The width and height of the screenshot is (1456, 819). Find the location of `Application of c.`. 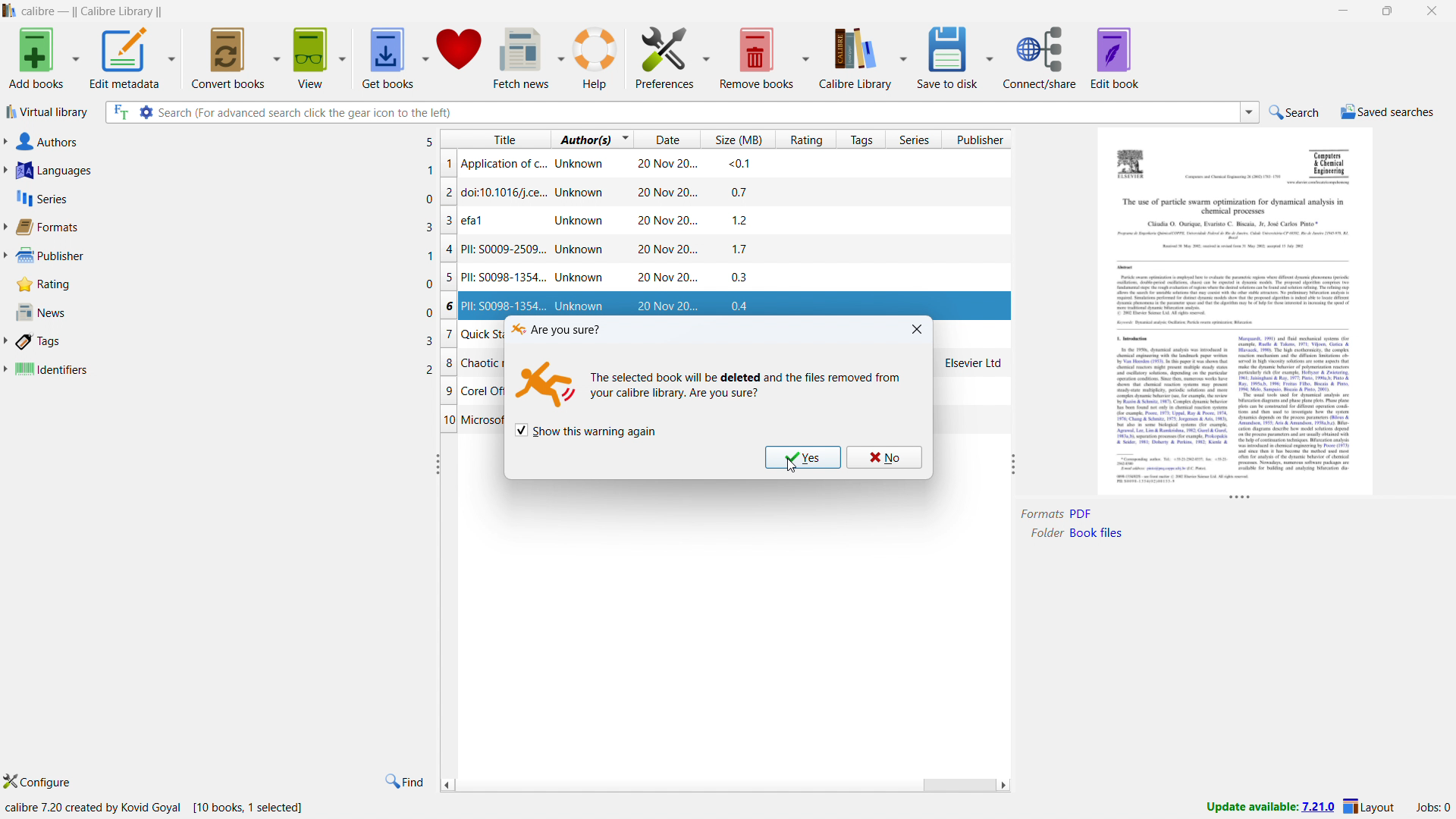

Application of c. is located at coordinates (698, 164).